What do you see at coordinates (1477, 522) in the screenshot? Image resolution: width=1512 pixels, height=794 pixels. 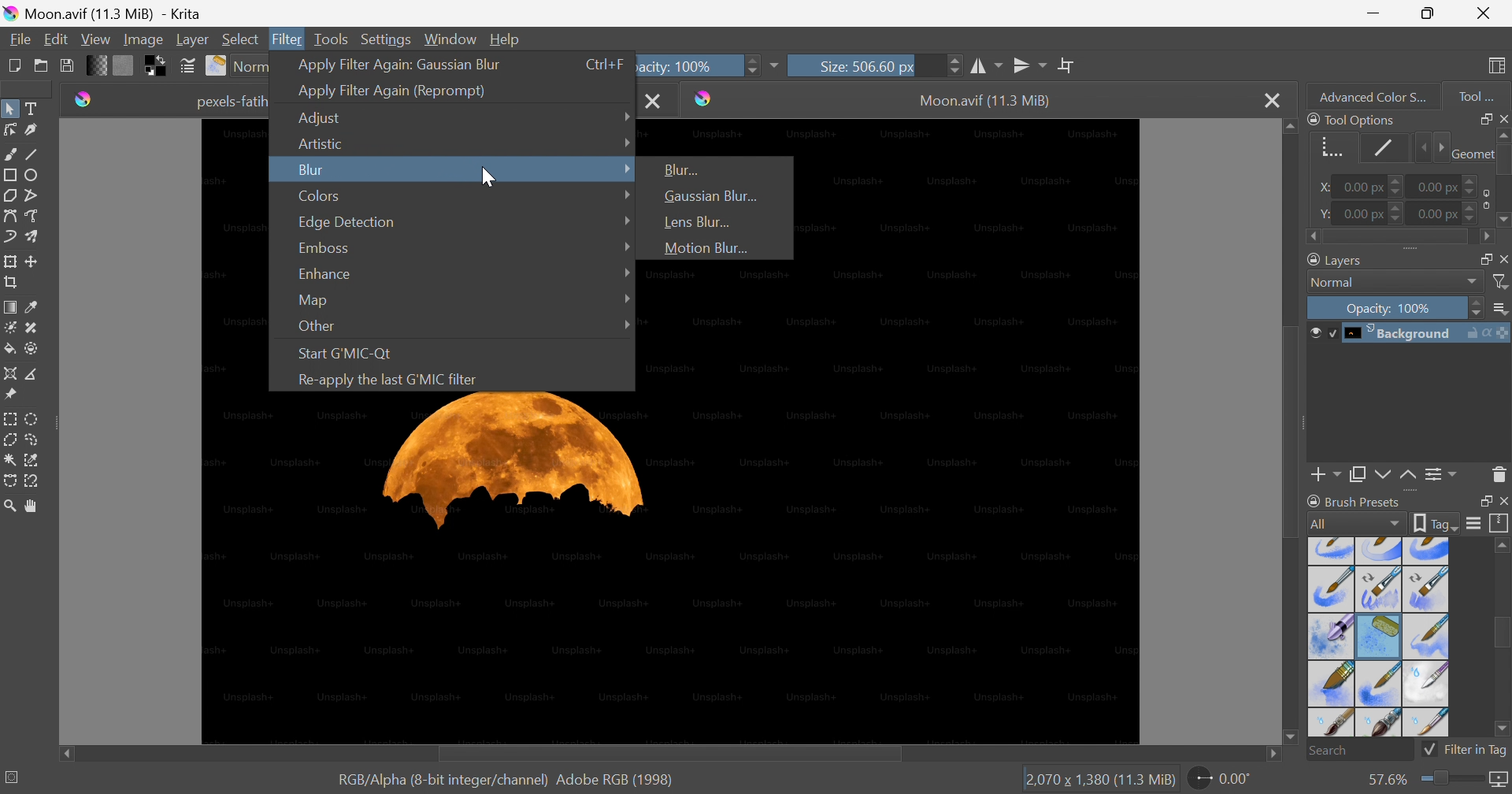 I see `Display settings` at bounding box center [1477, 522].